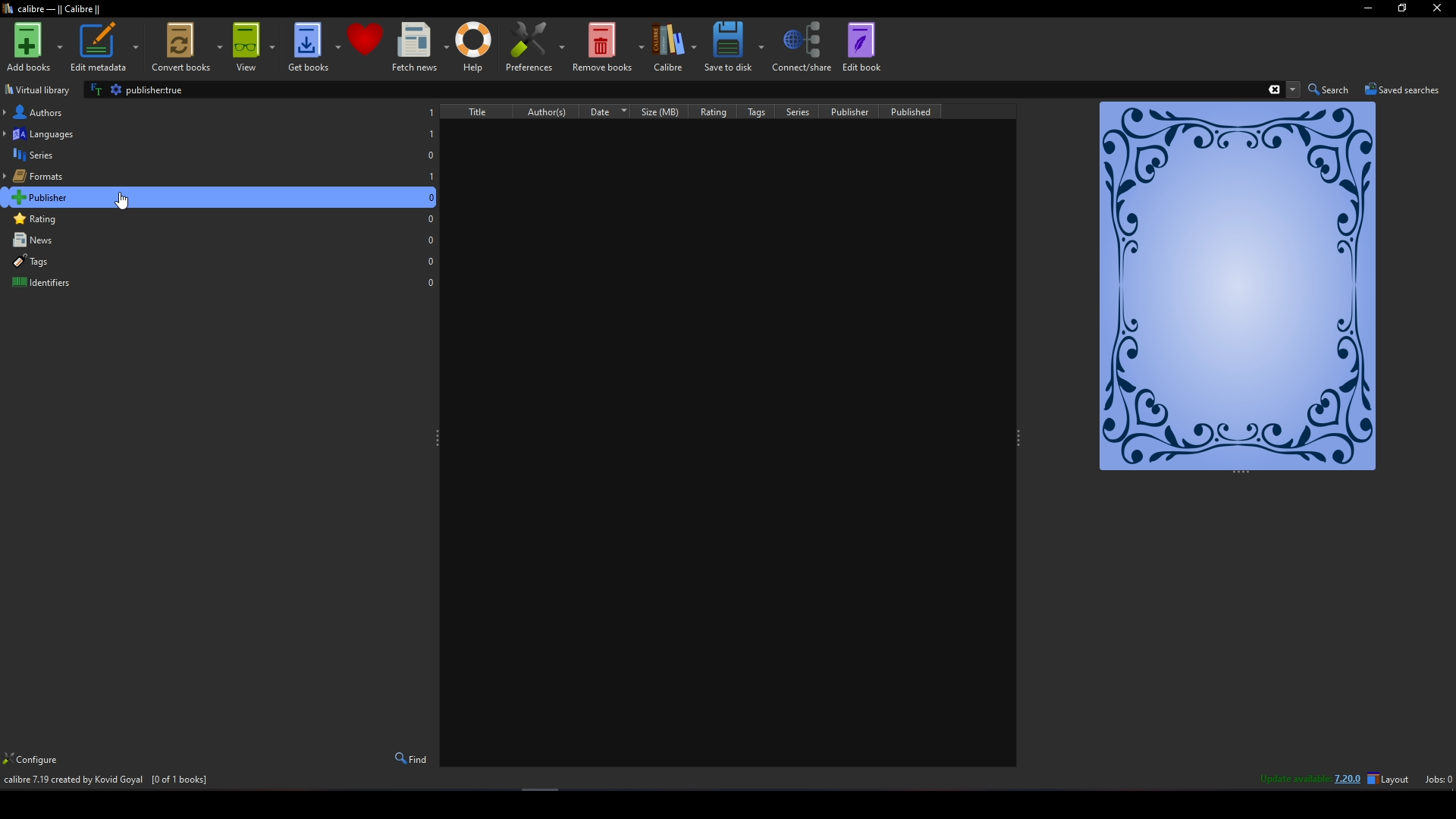 This screenshot has height=819, width=1456. Describe the element at coordinates (253, 46) in the screenshot. I see `View` at that location.